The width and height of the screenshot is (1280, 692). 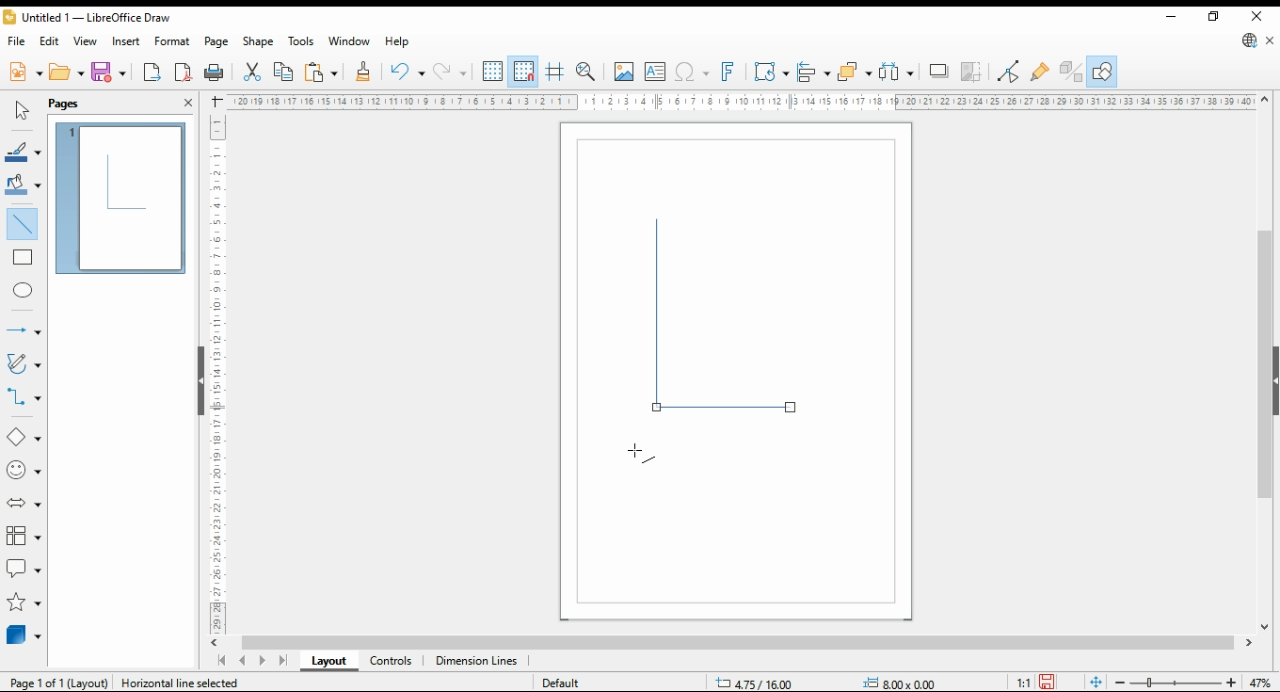 I want to click on page 1, so click(x=123, y=195).